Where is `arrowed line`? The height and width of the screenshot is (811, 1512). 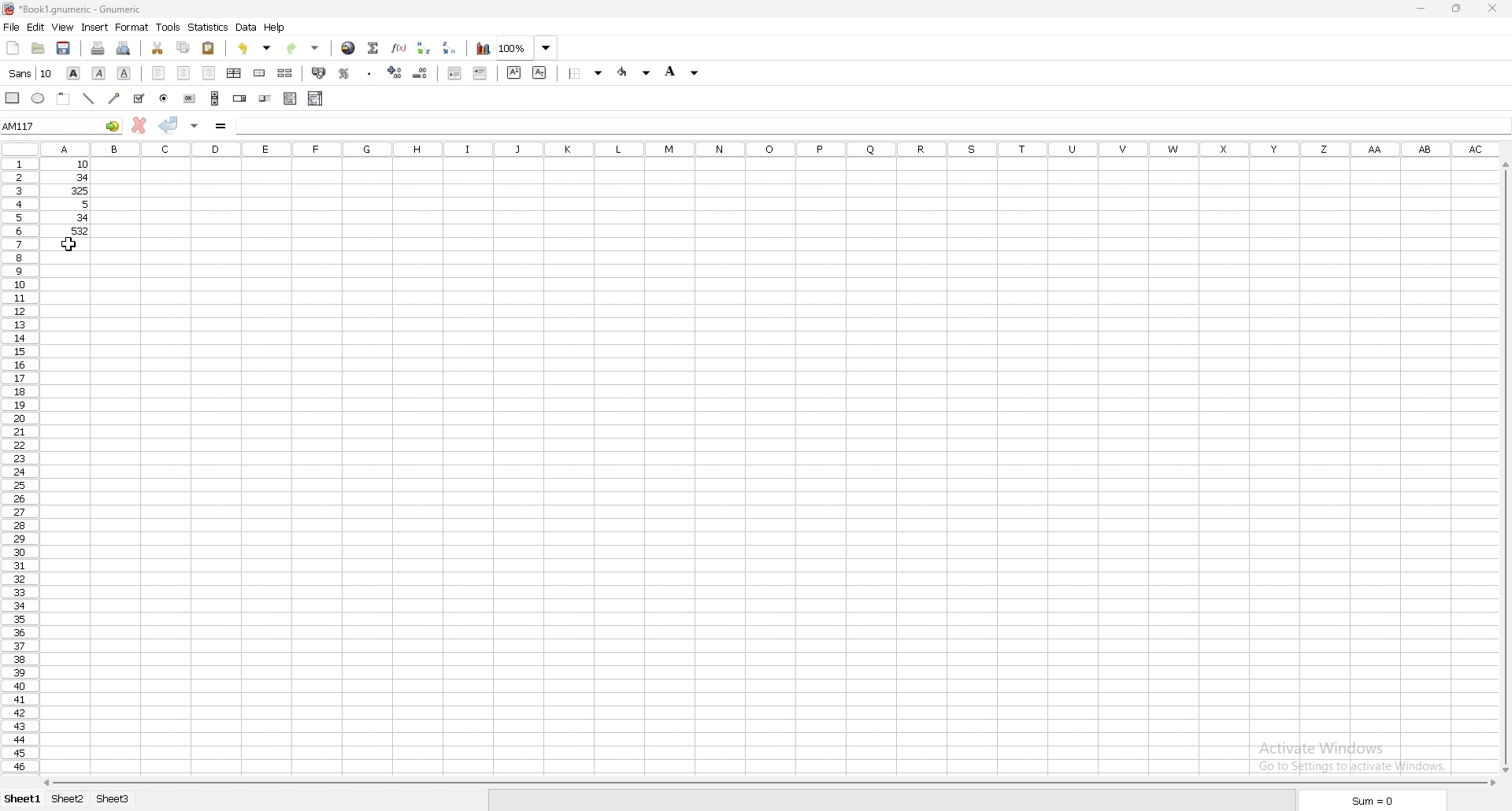
arrowed line is located at coordinates (114, 98).